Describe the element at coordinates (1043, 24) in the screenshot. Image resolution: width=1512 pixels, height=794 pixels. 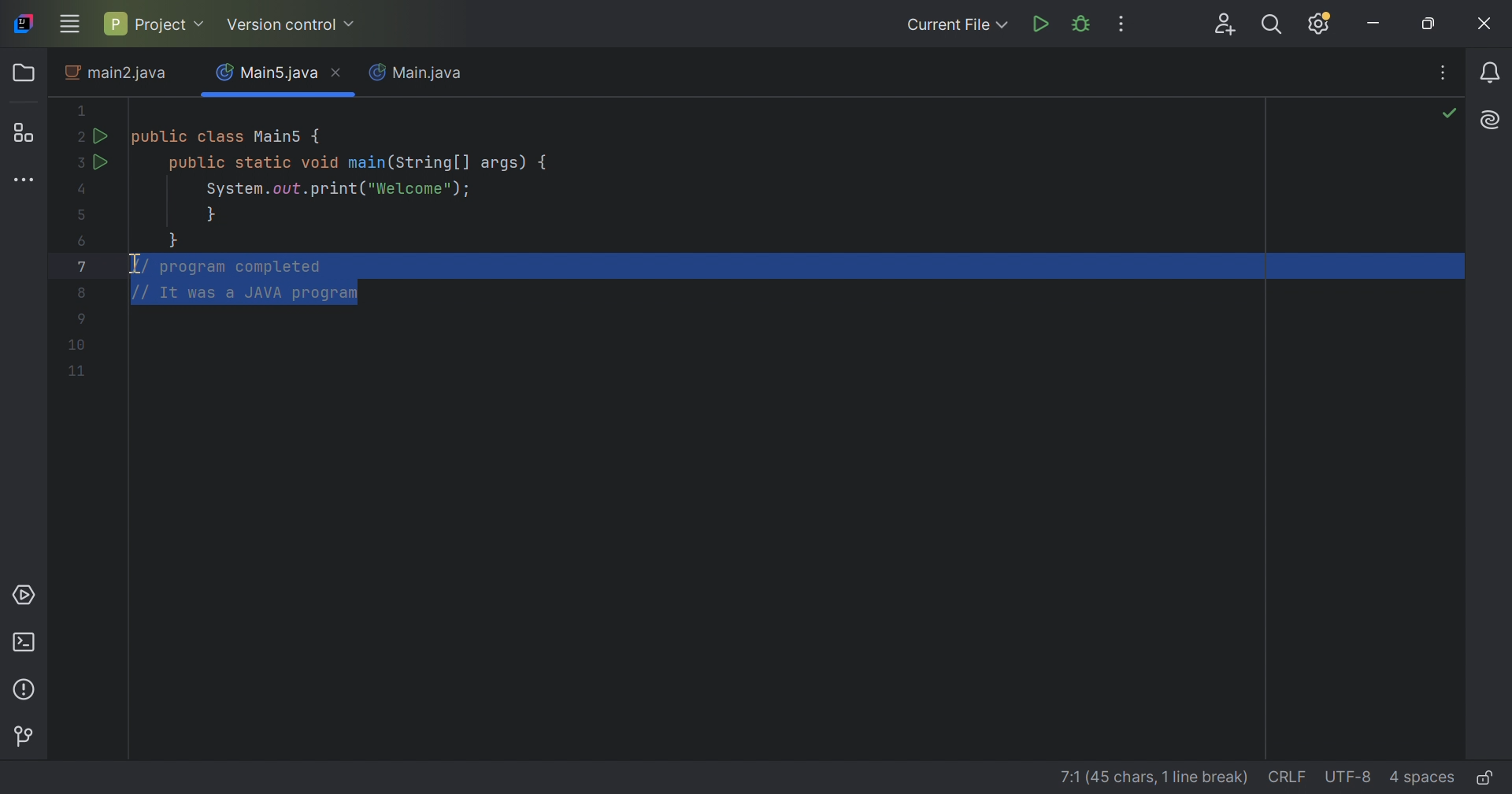
I see `Run` at that location.